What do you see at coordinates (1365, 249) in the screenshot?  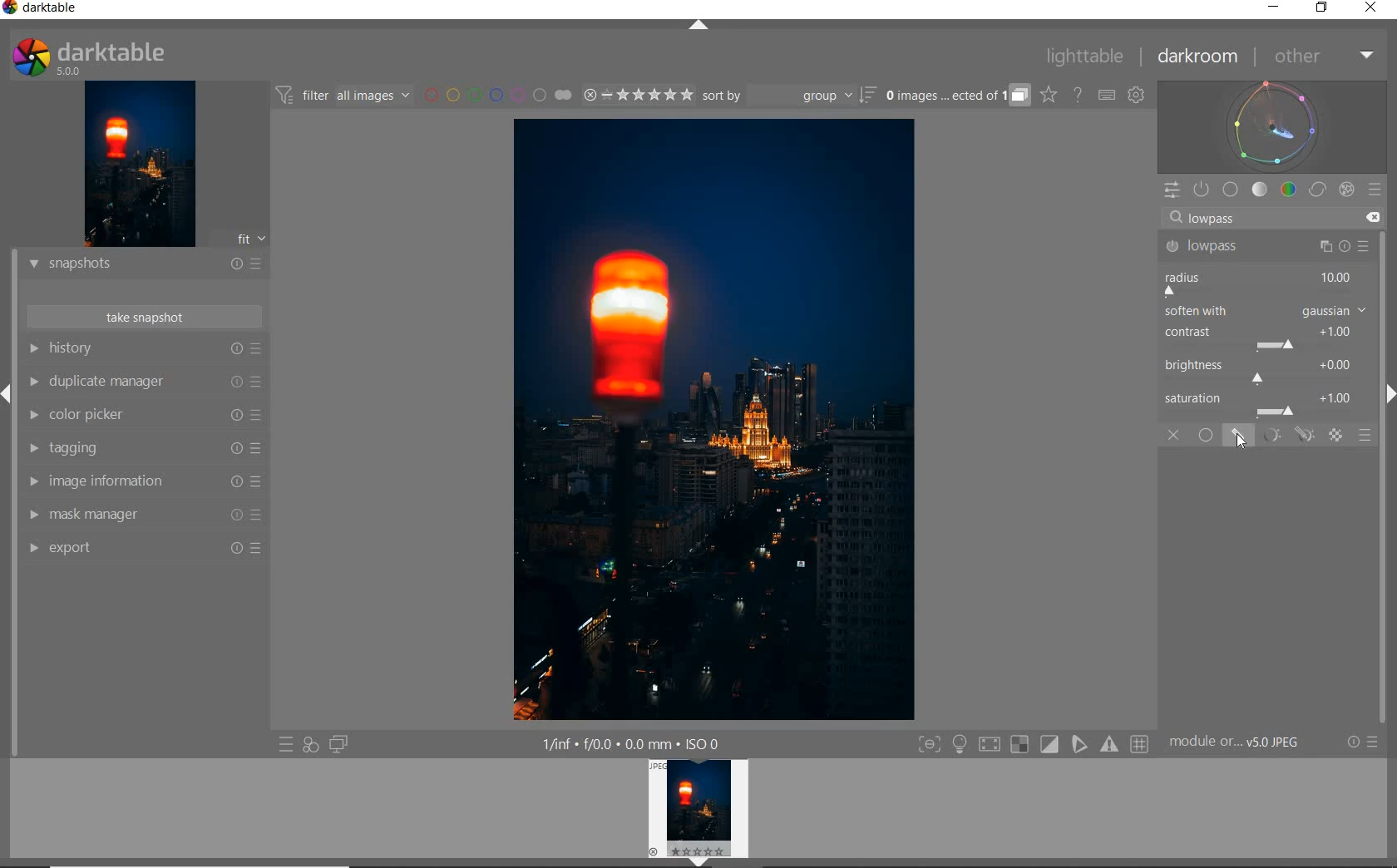 I see `Preset and reset` at bounding box center [1365, 249].